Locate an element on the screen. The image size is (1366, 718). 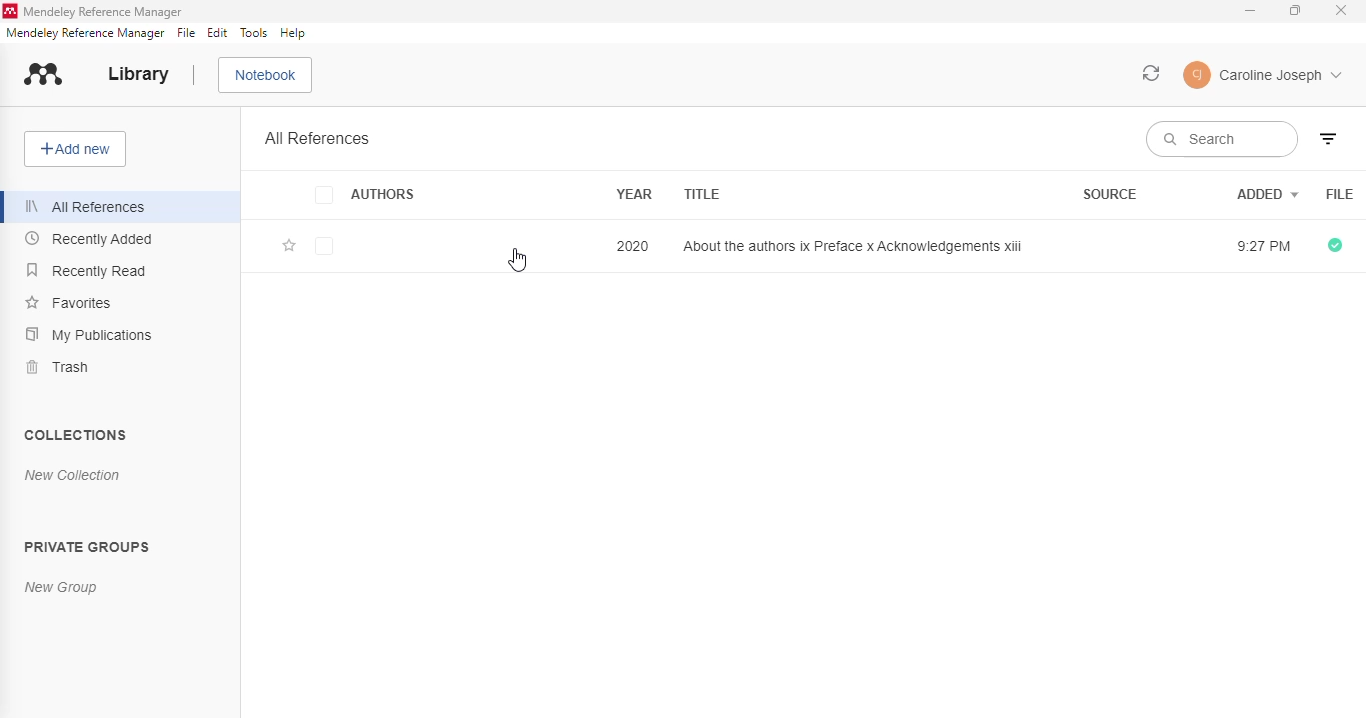
cursor is located at coordinates (516, 260).